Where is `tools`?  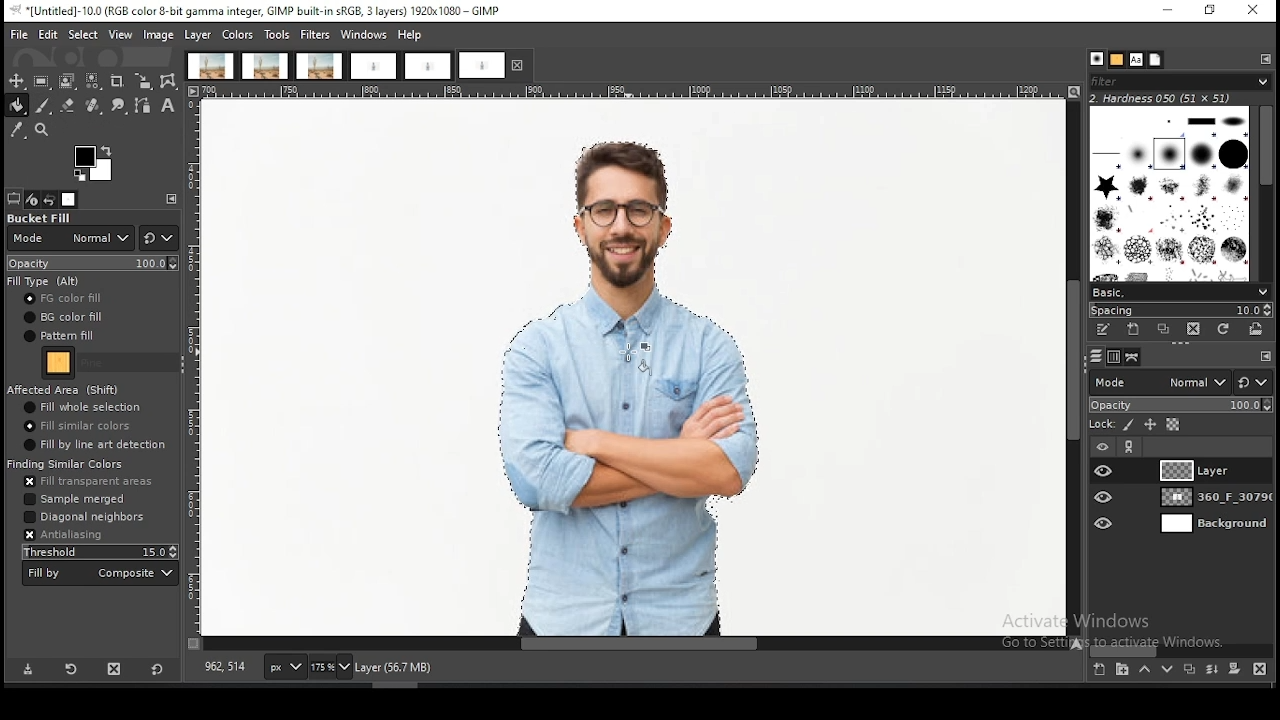
tools is located at coordinates (277, 36).